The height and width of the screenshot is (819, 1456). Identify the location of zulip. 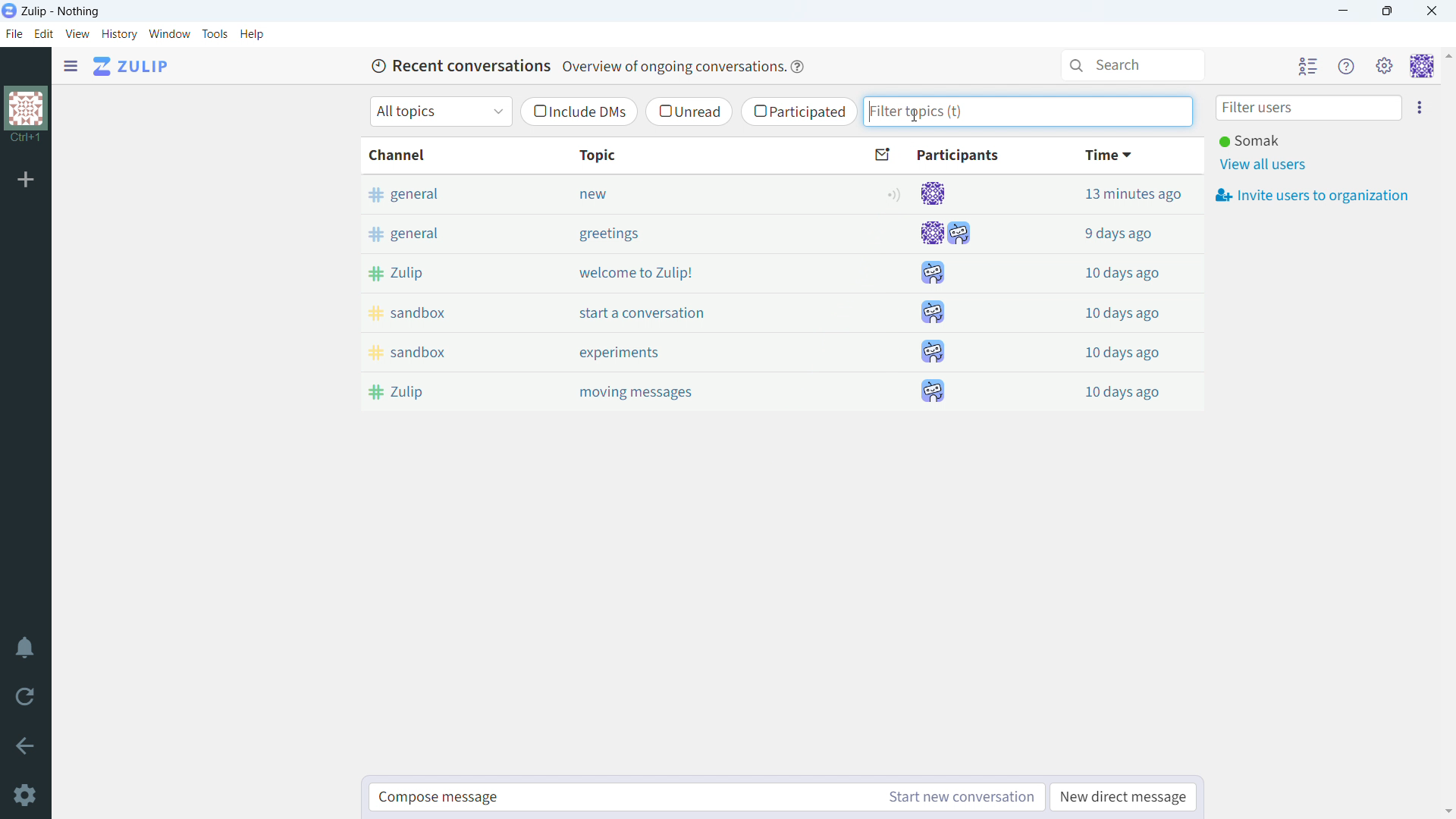
(441, 392).